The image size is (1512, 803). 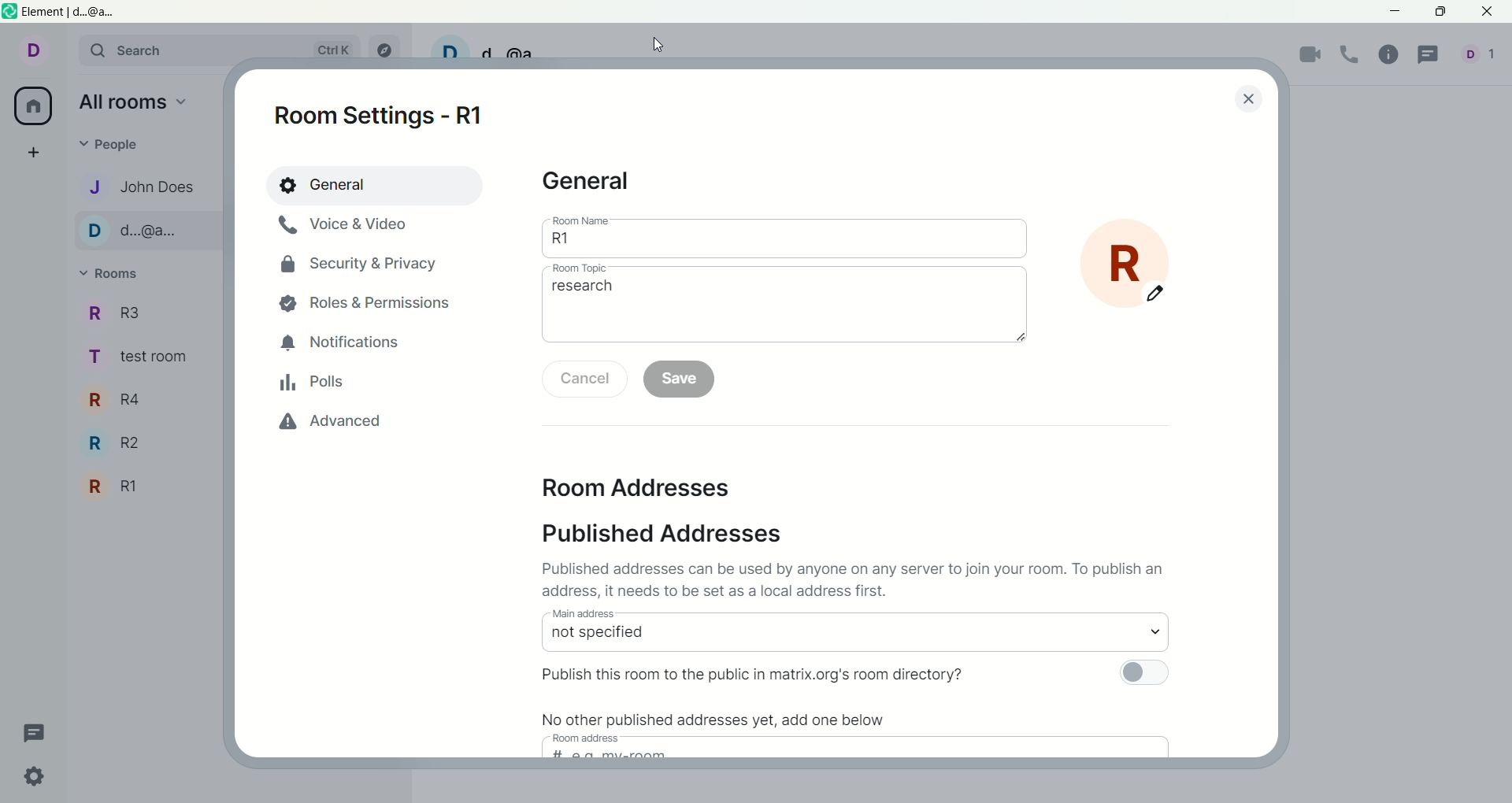 What do you see at coordinates (584, 376) in the screenshot?
I see `cancel` at bounding box center [584, 376].